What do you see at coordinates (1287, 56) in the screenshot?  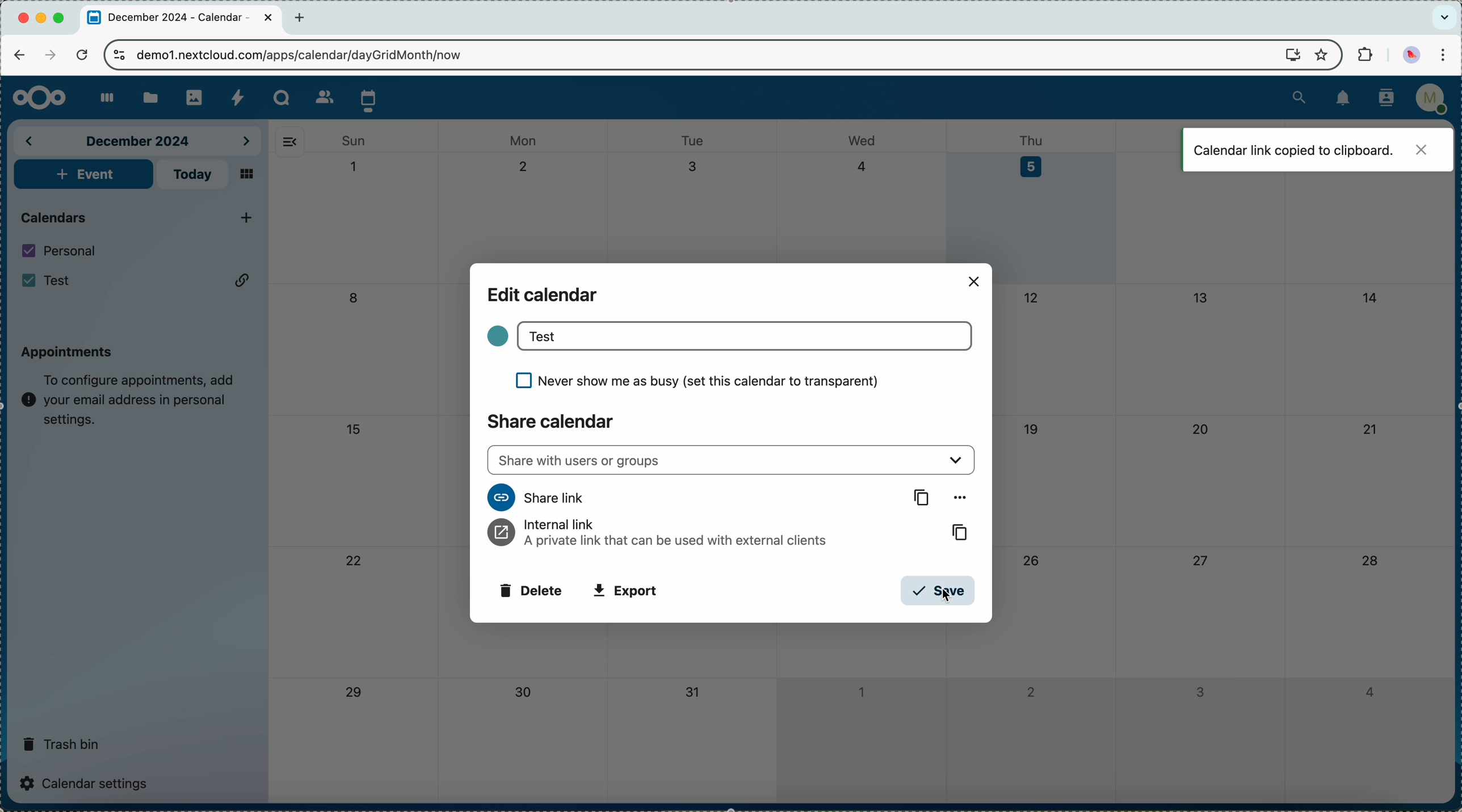 I see `screen` at bounding box center [1287, 56].